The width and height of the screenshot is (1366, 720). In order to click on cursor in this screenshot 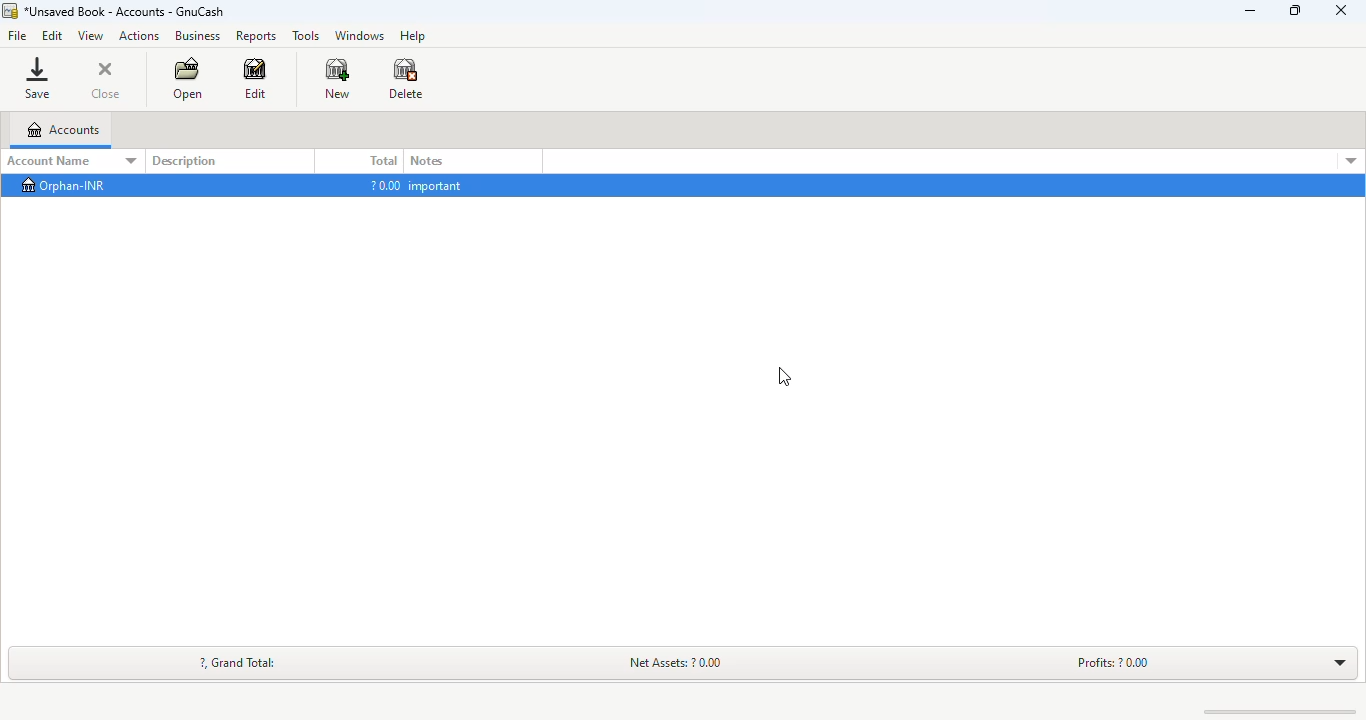, I will do `click(137, 197)`.